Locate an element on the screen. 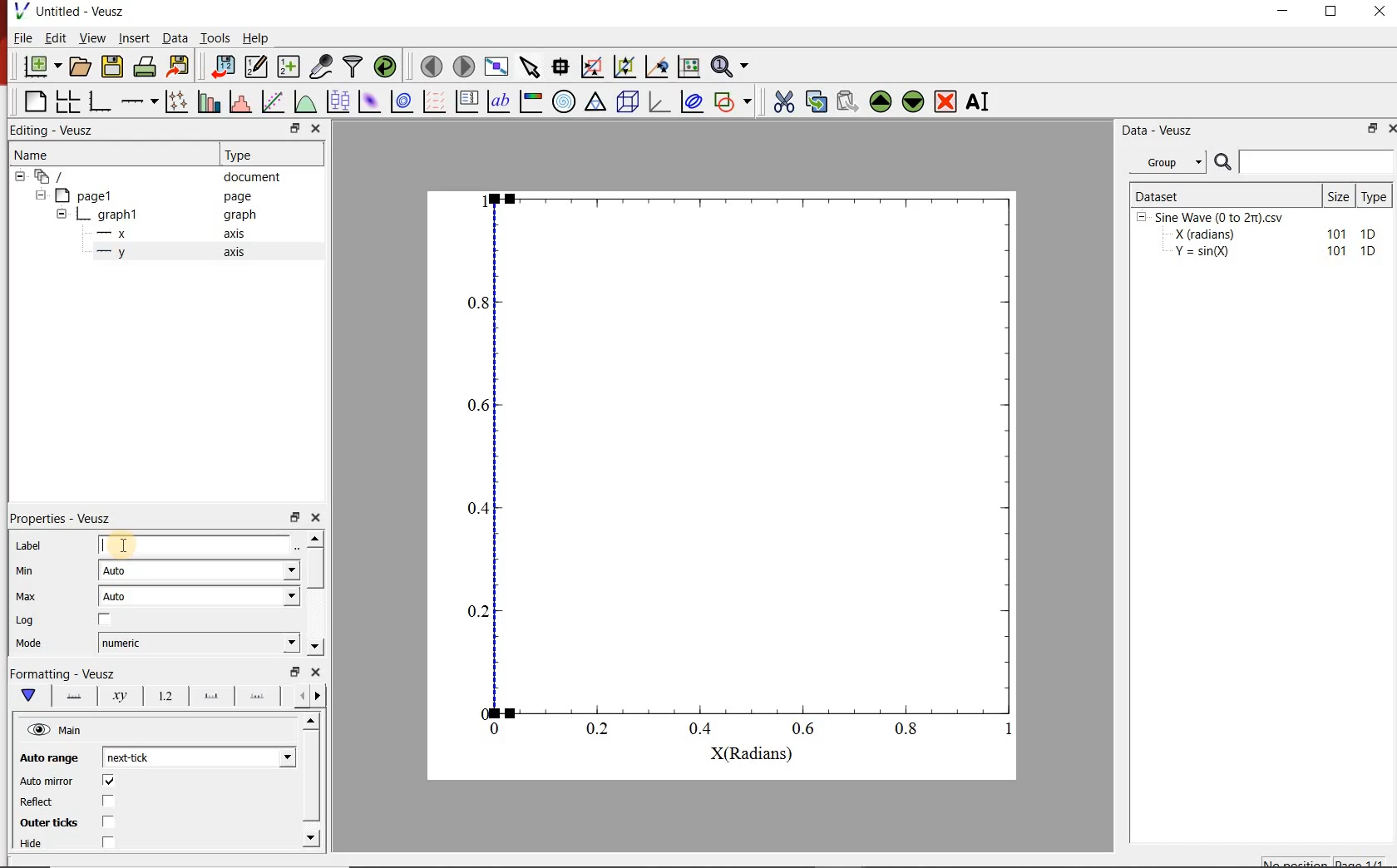 The width and height of the screenshot is (1397, 868). Up is located at coordinates (315, 538).